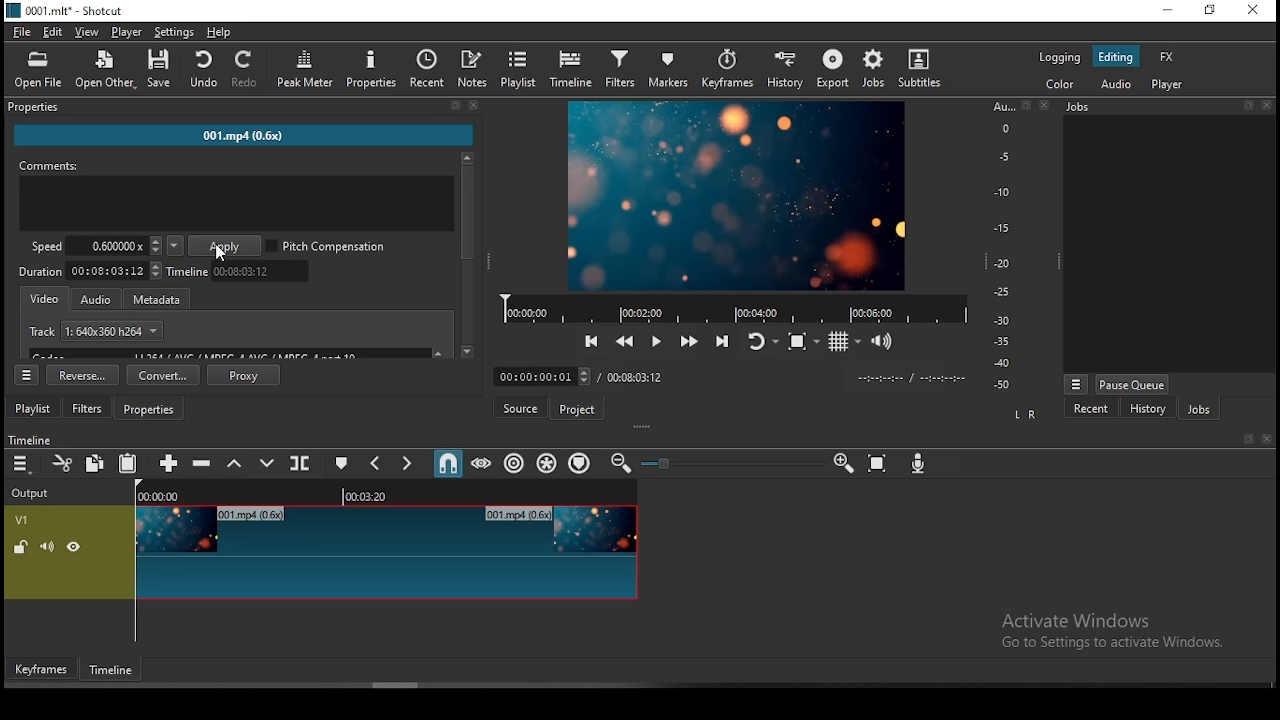 The height and width of the screenshot is (720, 1280). Describe the element at coordinates (1171, 10) in the screenshot. I see `minimize` at that location.